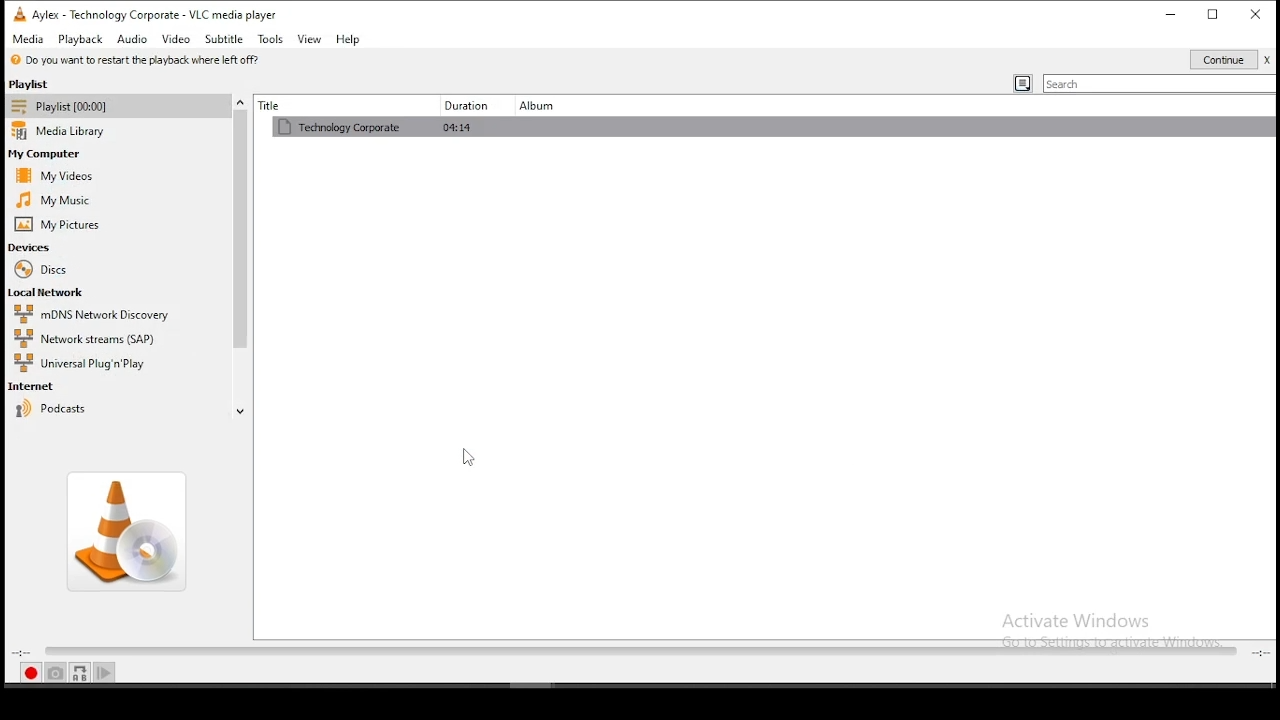 This screenshot has height=720, width=1280. I want to click on playlist, so click(43, 83).